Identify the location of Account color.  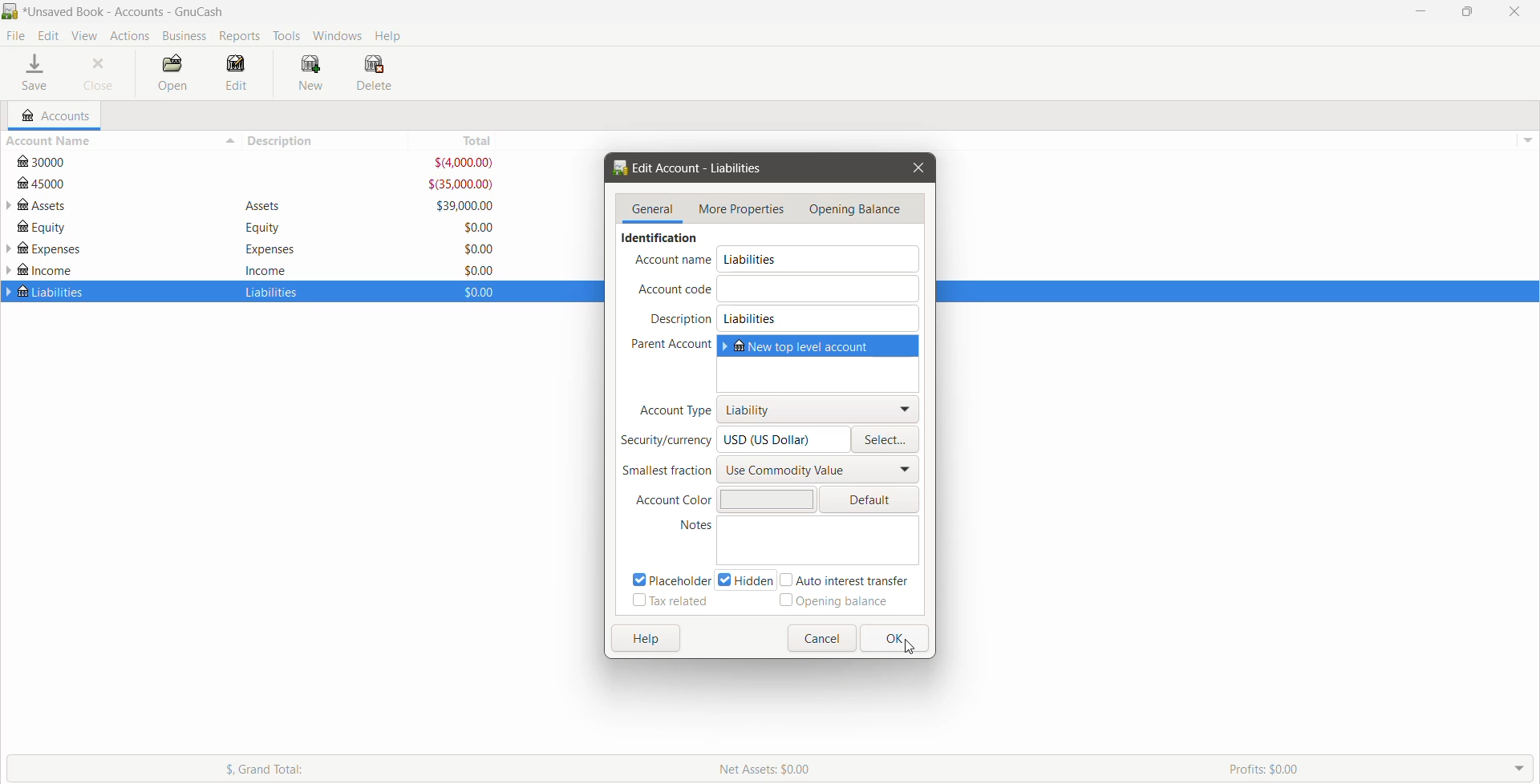
(668, 501).